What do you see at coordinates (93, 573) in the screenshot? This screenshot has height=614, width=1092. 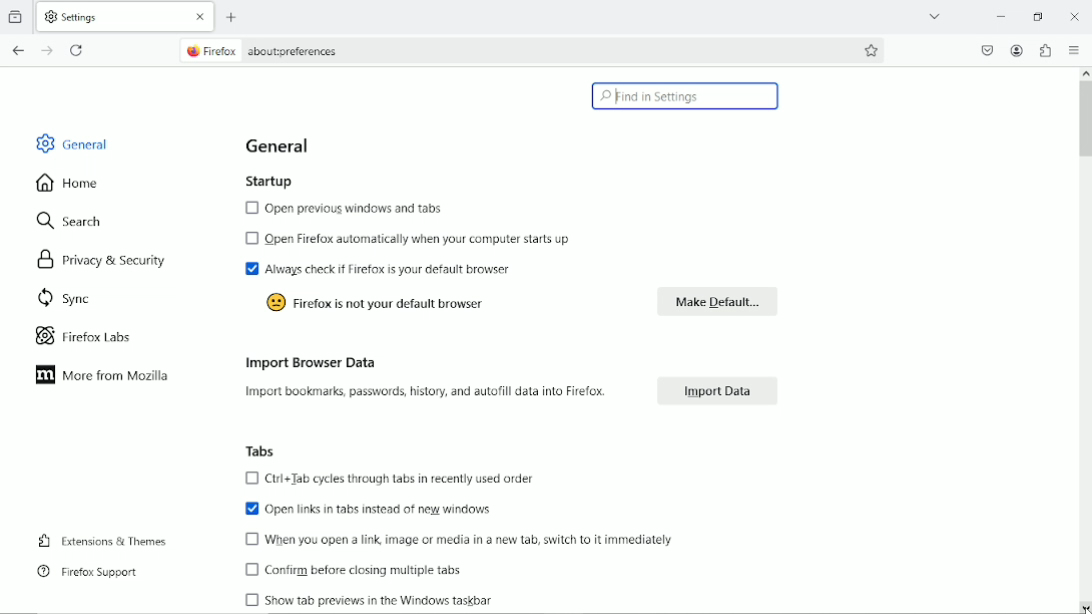 I see `Firefox support` at bounding box center [93, 573].